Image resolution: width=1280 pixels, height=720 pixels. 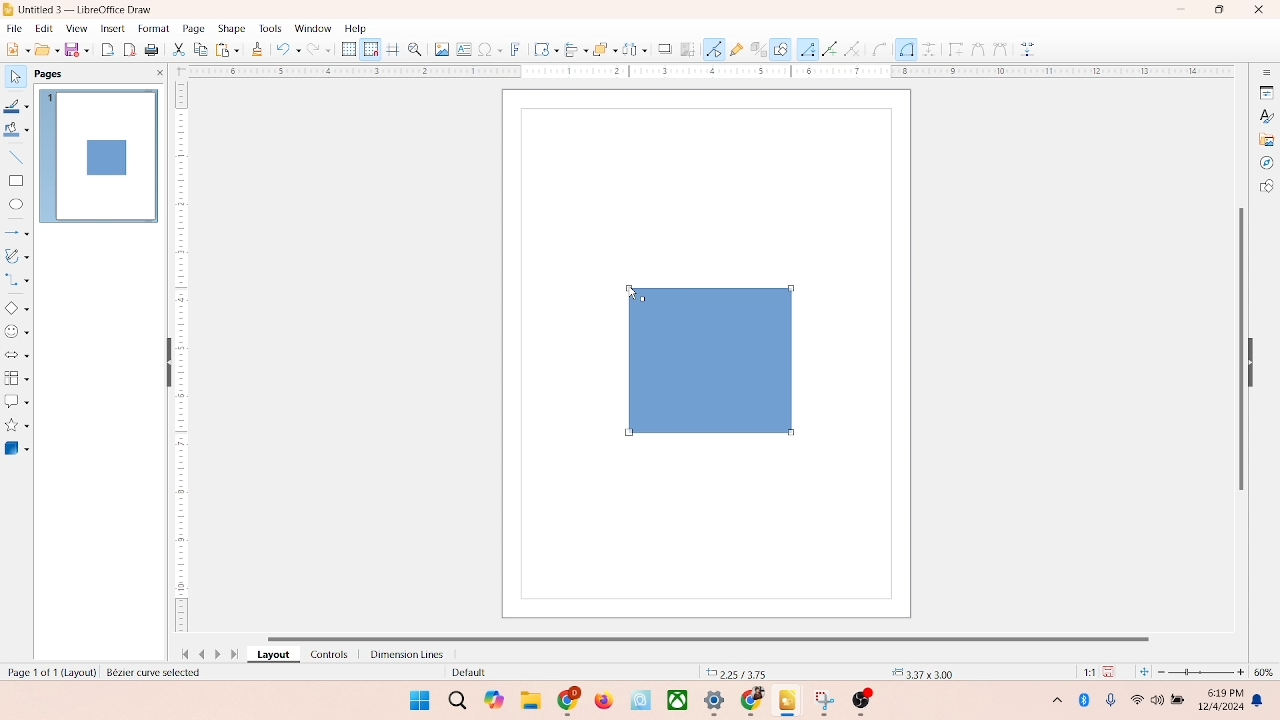 What do you see at coordinates (42, 29) in the screenshot?
I see `edit` at bounding box center [42, 29].